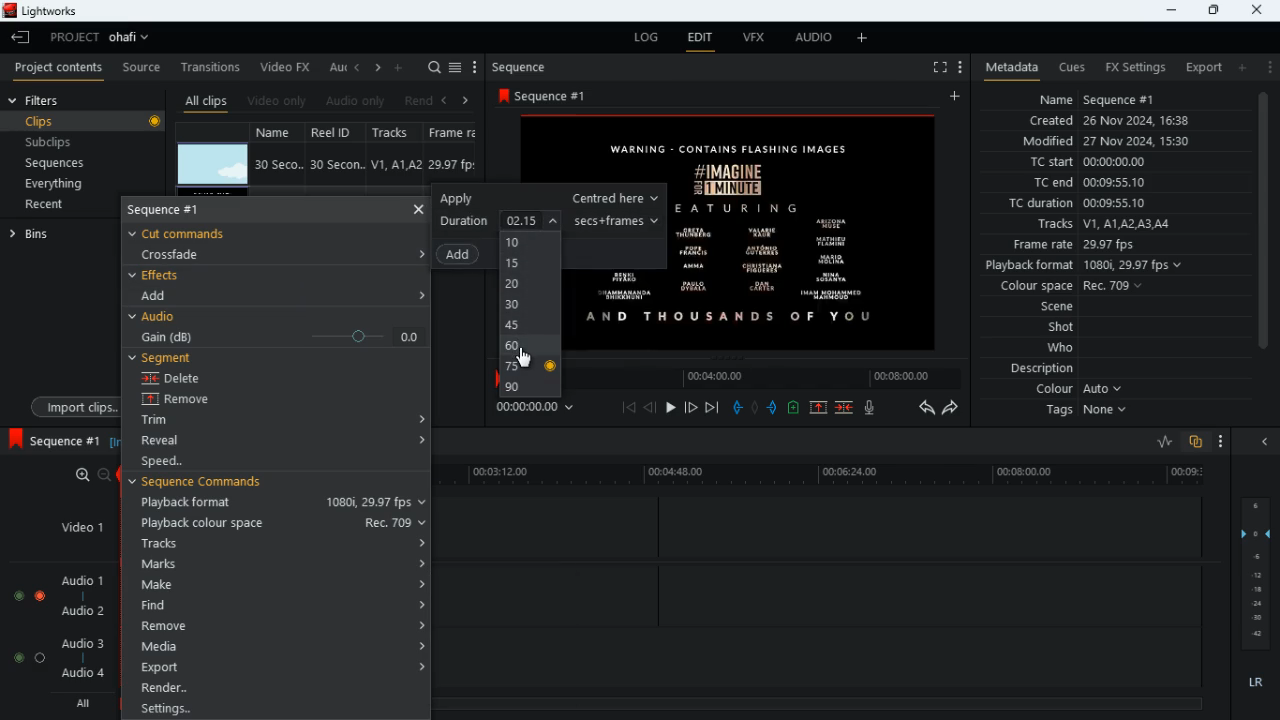 The image size is (1280, 720). I want to click on render, so click(281, 688).